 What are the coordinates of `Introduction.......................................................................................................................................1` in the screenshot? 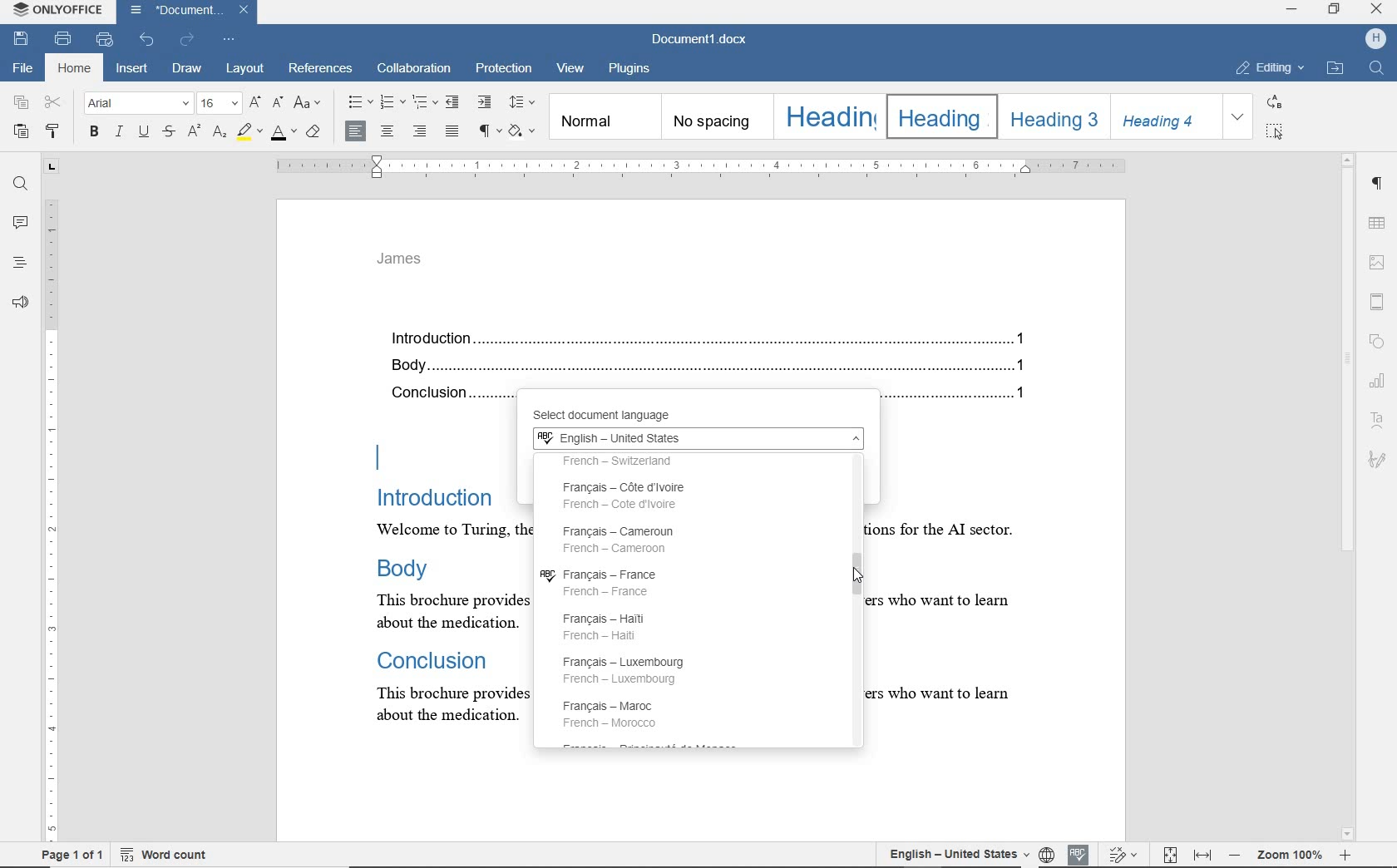 It's located at (714, 340).